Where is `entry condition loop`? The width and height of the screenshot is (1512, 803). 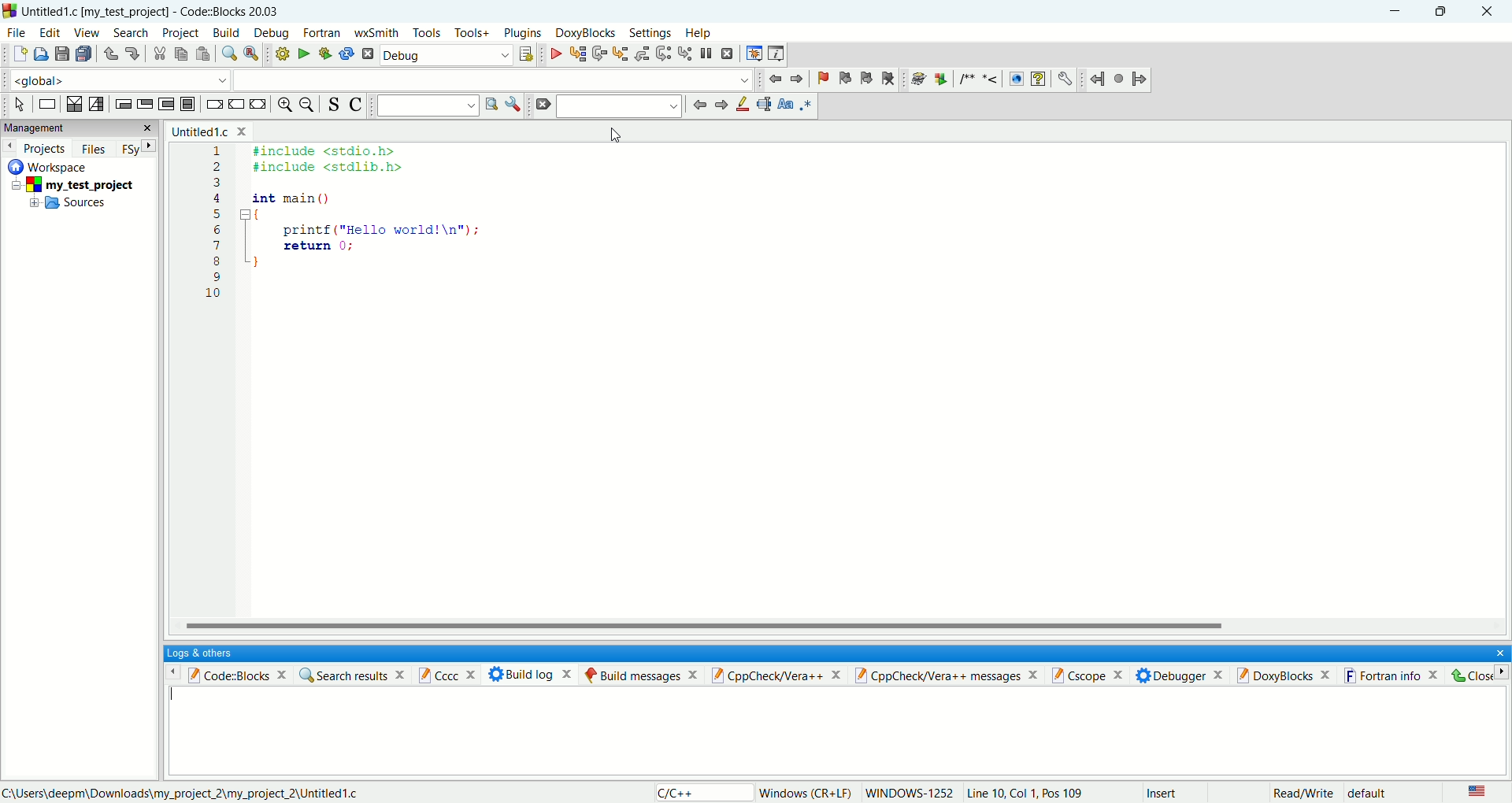
entry condition loop is located at coordinates (121, 103).